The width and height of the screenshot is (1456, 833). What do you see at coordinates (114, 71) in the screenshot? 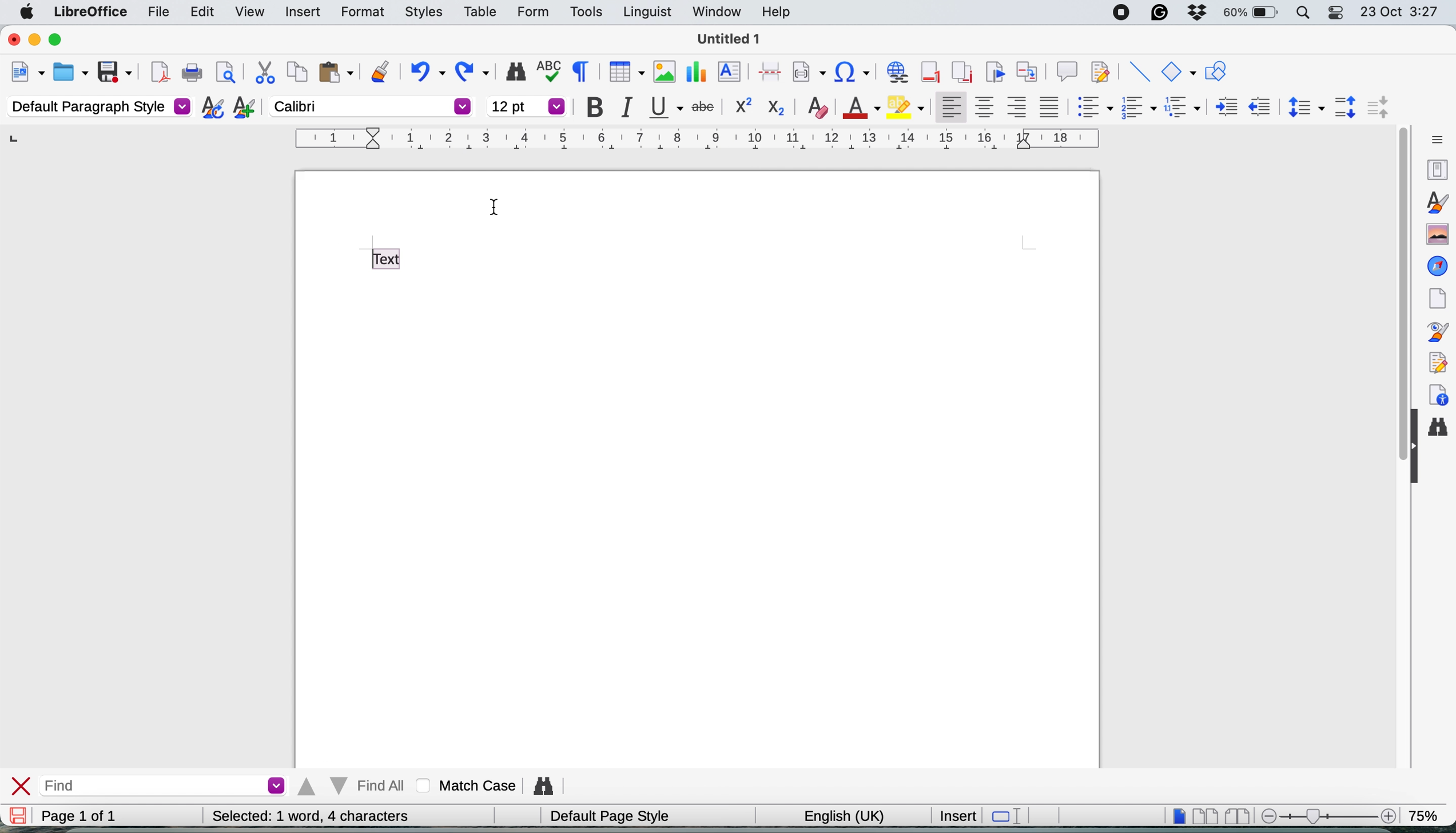
I see `save` at bounding box center [114, 71].